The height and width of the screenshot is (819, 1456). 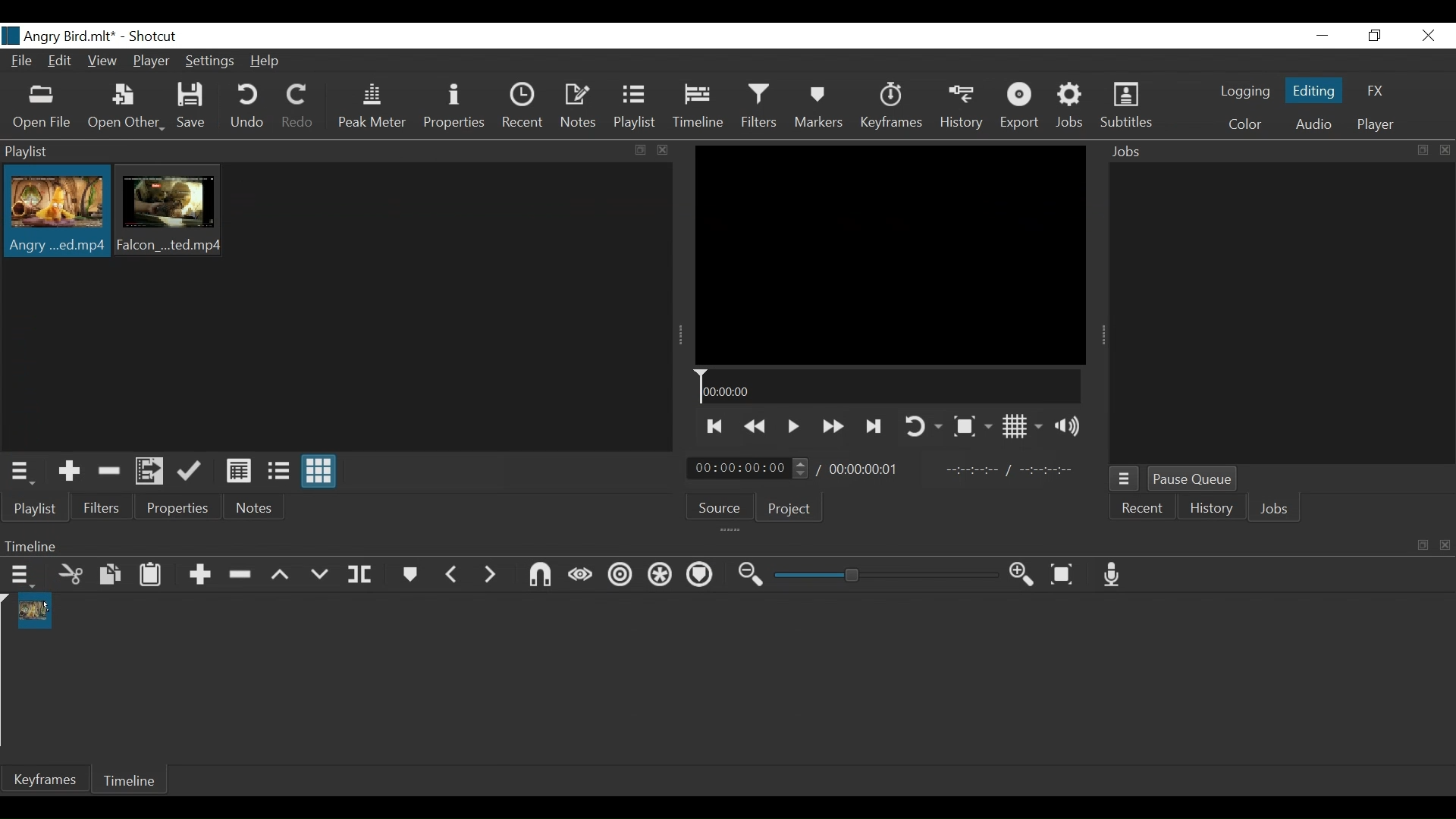 I want to click on Keyframes, so click(x=891, y=108).